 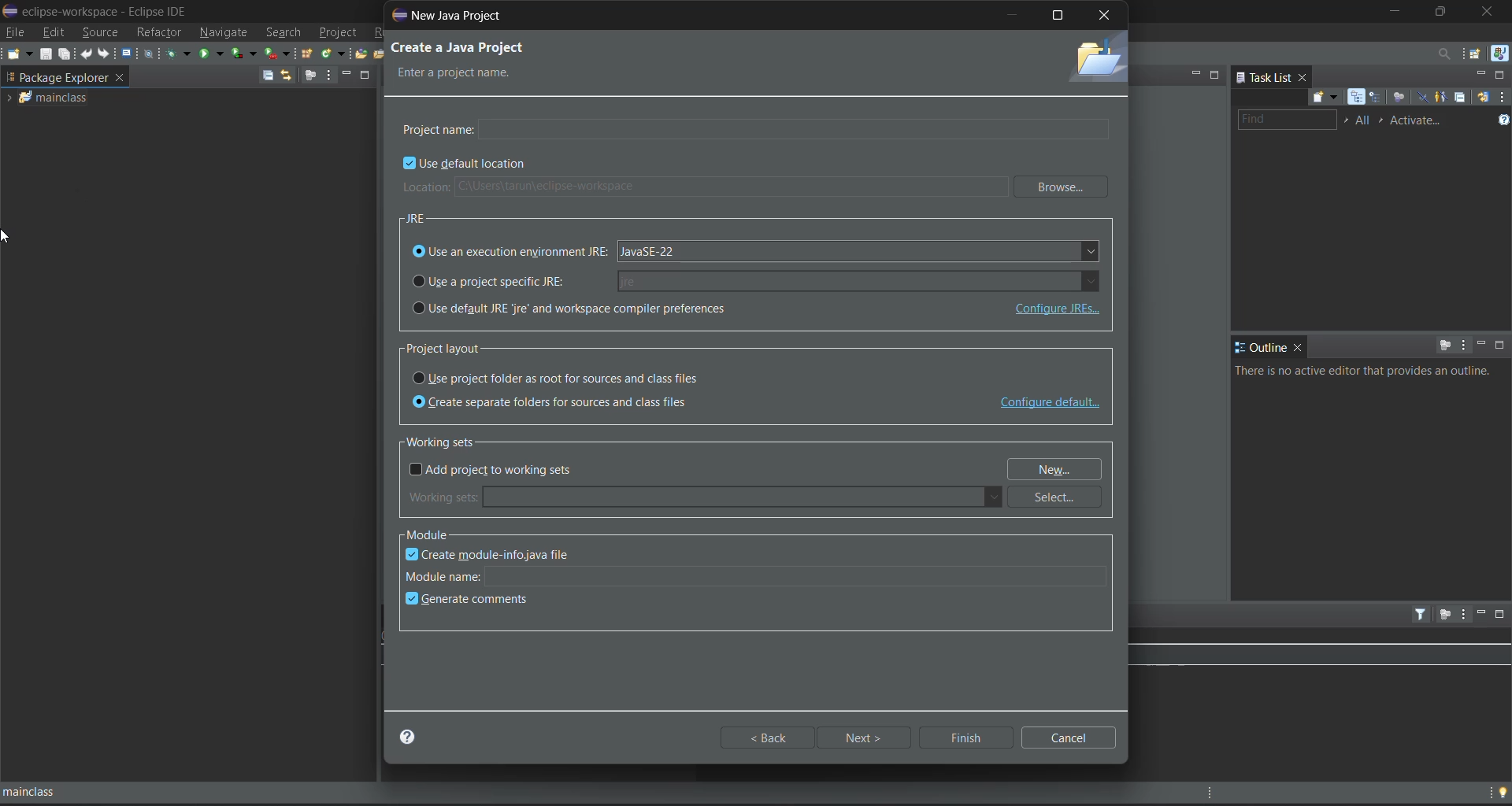 What do you see at coordinates (212, 54) in the screenshot?
I see `run` at bounding box center [212, 54].